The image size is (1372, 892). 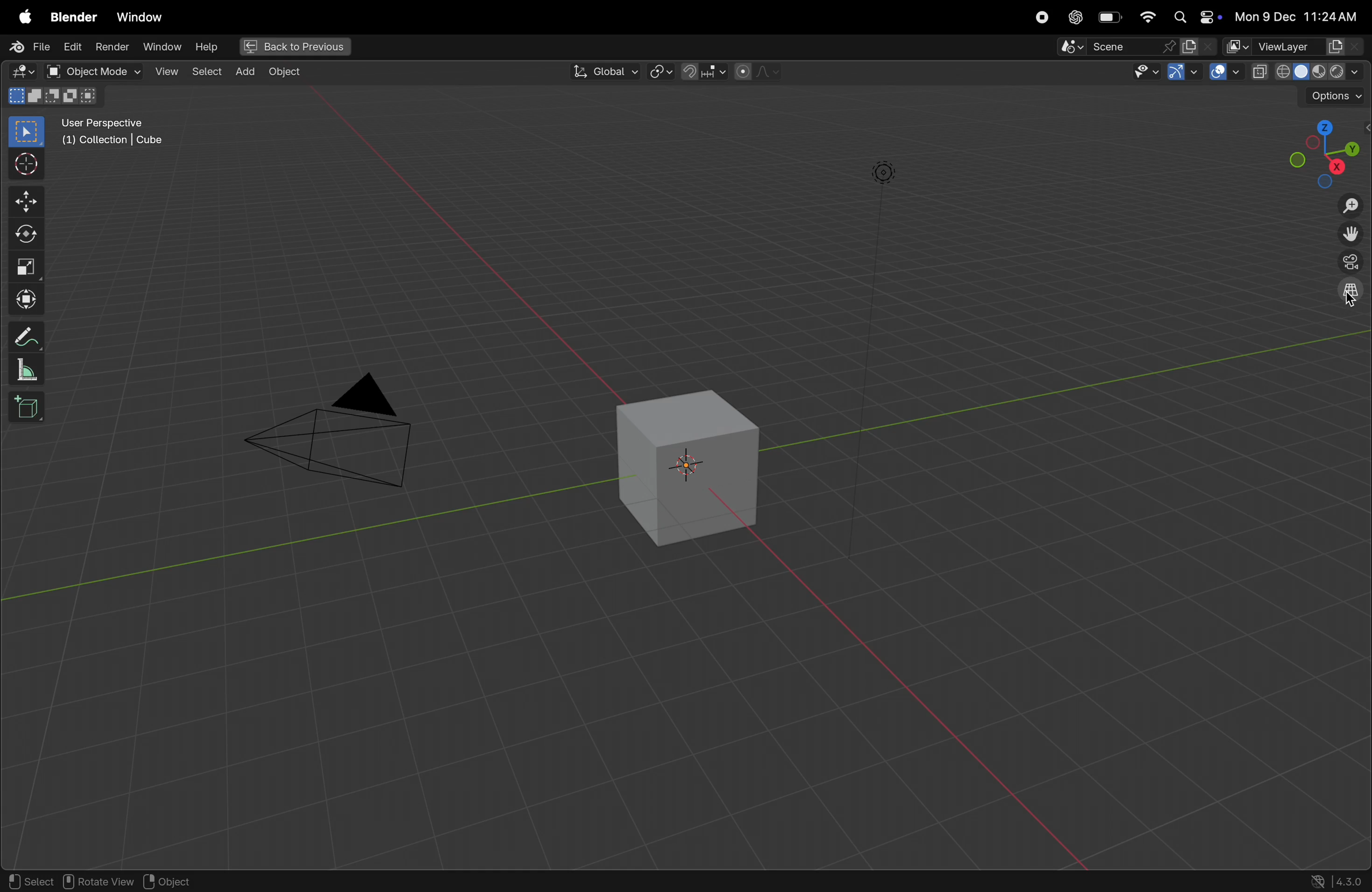 I want to click on cube, so click(x=693, y=471).